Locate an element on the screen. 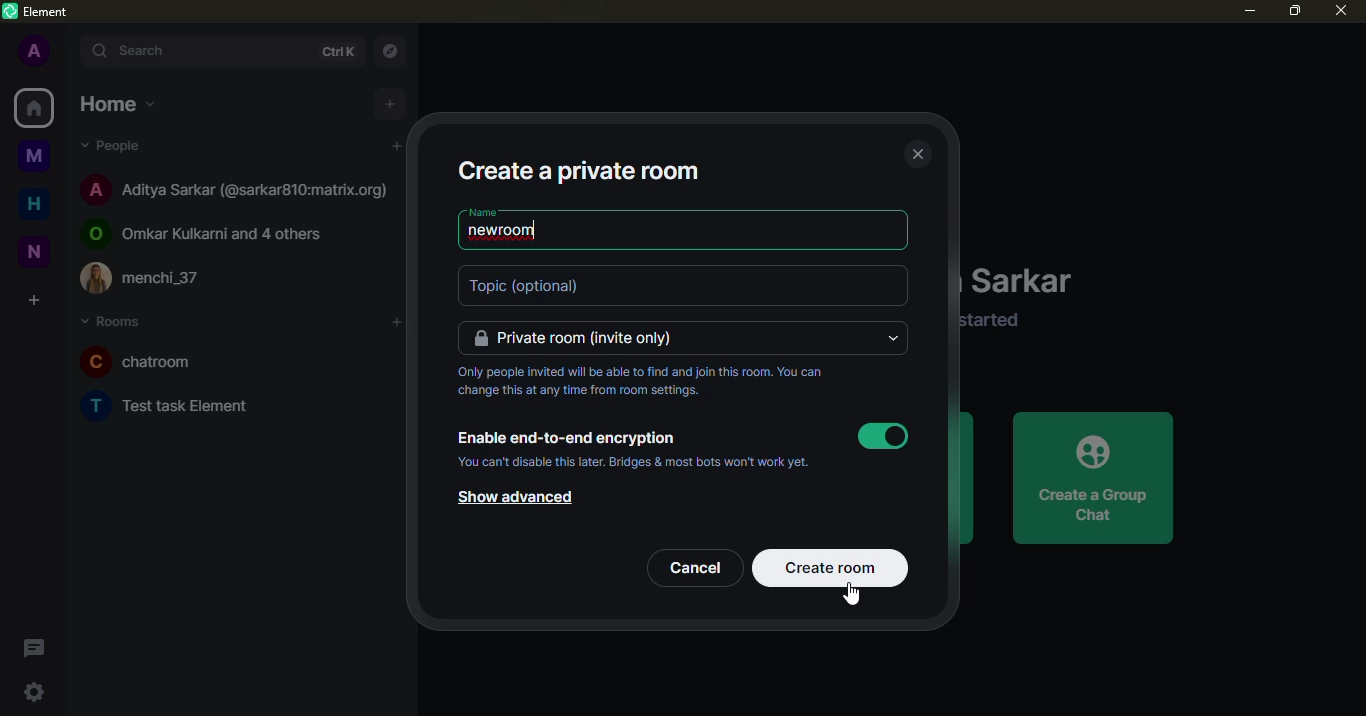  Aditya Sarkar (@sarkar810:matrix.org) is located at coordinates (236, 191).